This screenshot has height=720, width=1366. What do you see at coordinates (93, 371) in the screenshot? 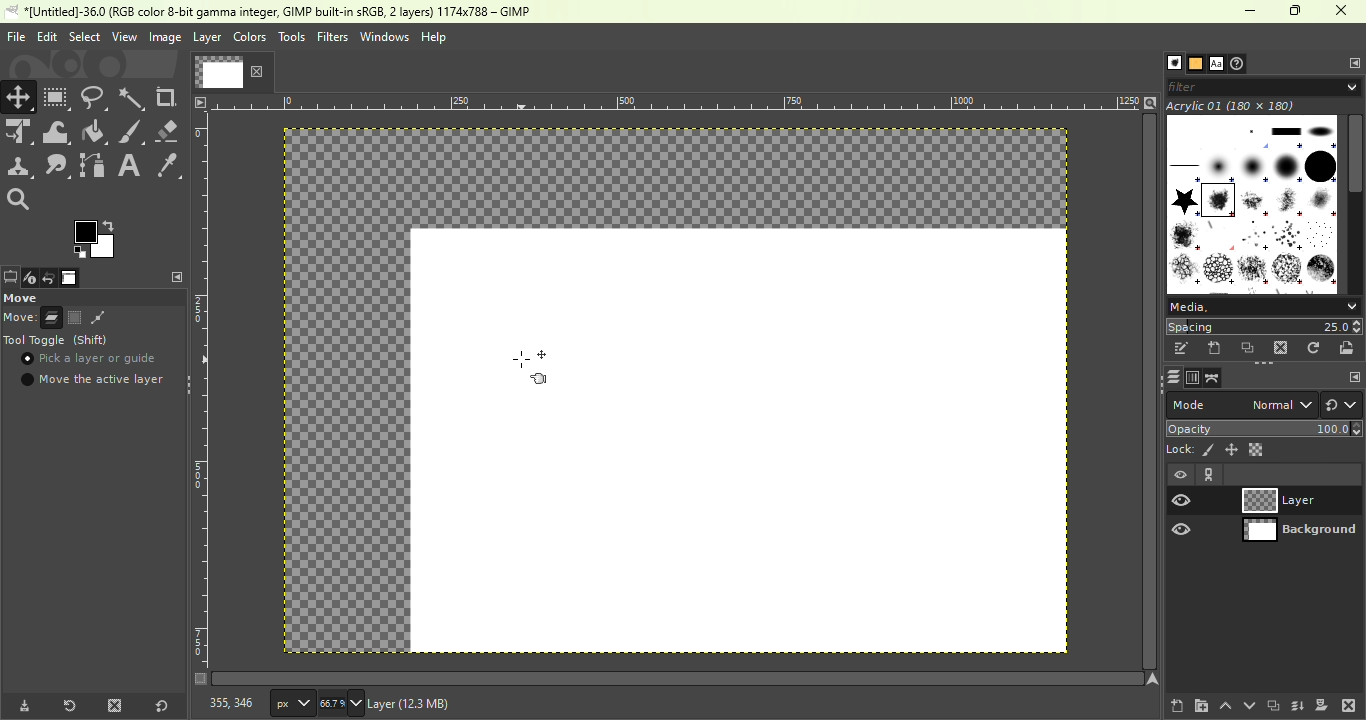
I see `pick a layer or guide    move the active layer` at bounding box center [93, 371].